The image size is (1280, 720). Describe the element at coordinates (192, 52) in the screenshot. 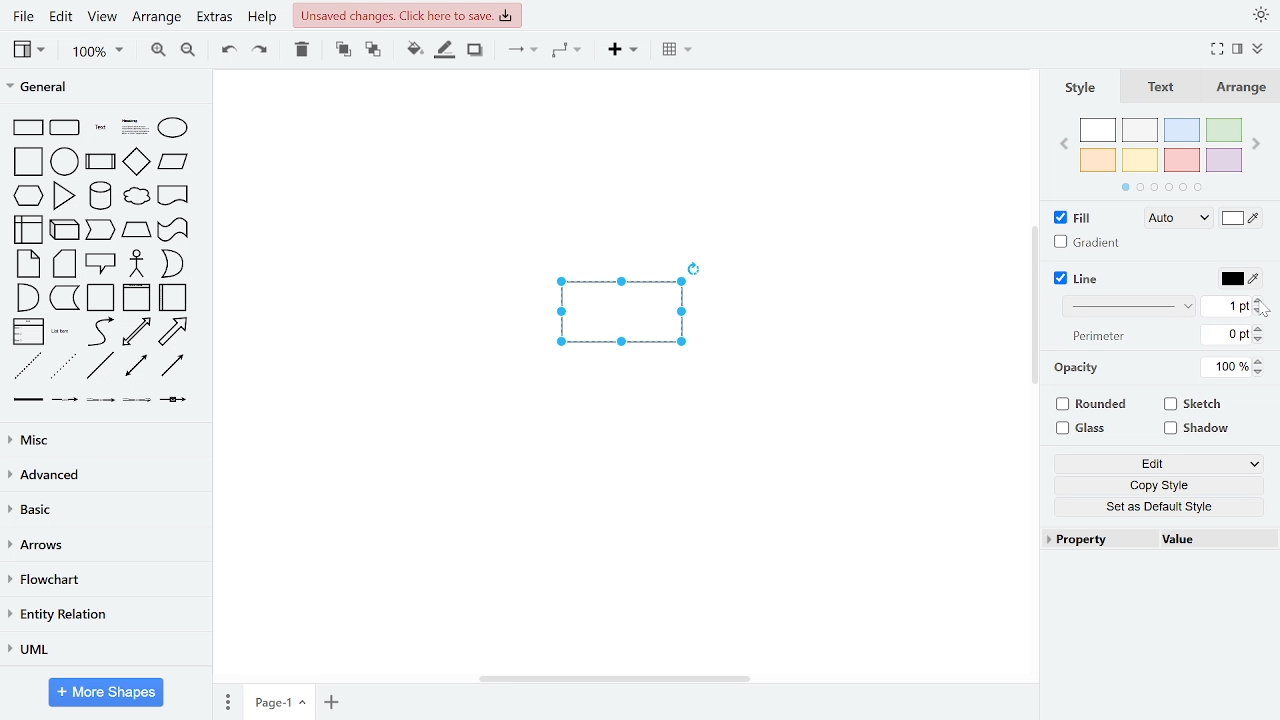

I see `zoom out` at that location.